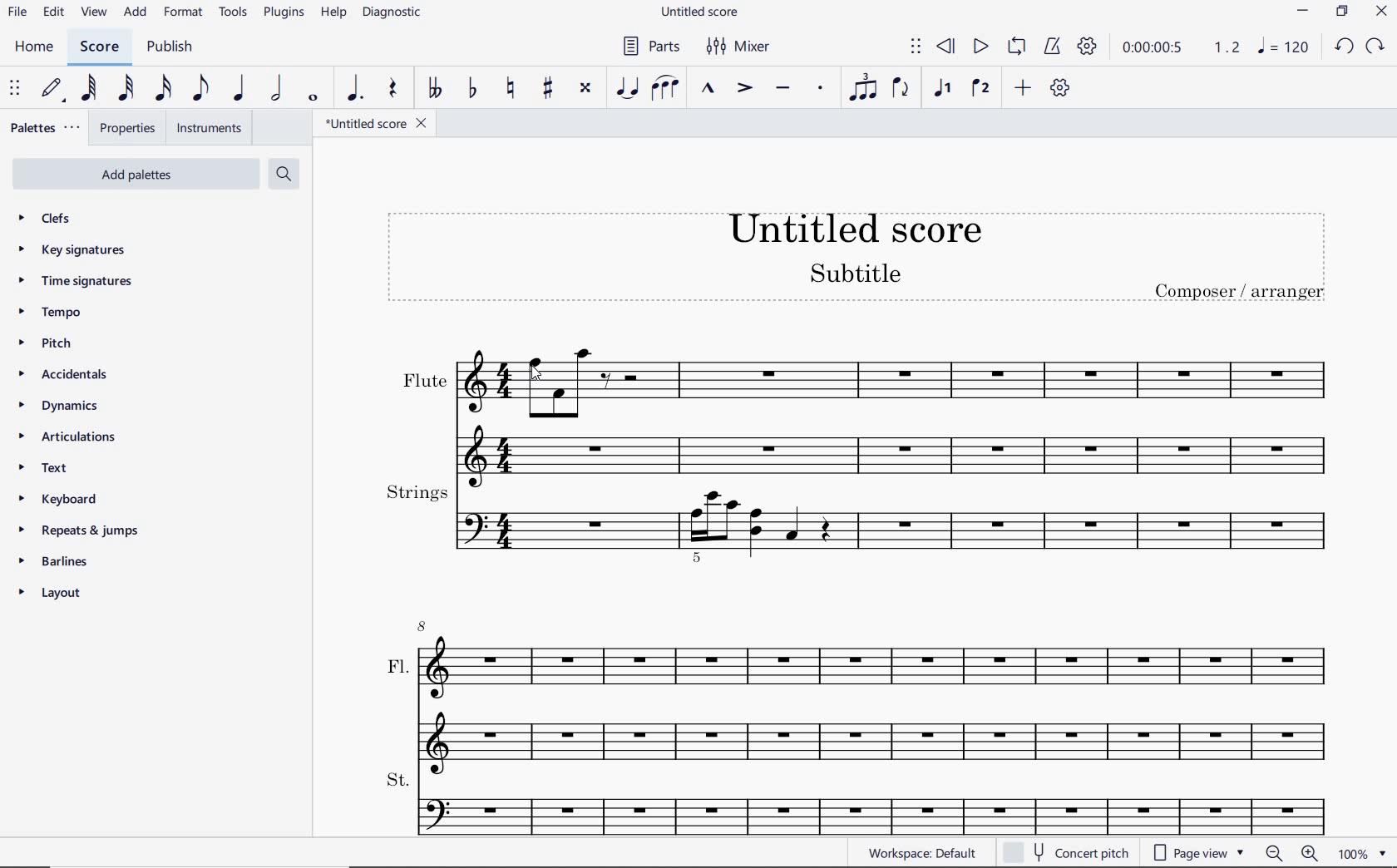  I want to click on TOGGLE DOUBLE-SHARP, so click(585, 88).